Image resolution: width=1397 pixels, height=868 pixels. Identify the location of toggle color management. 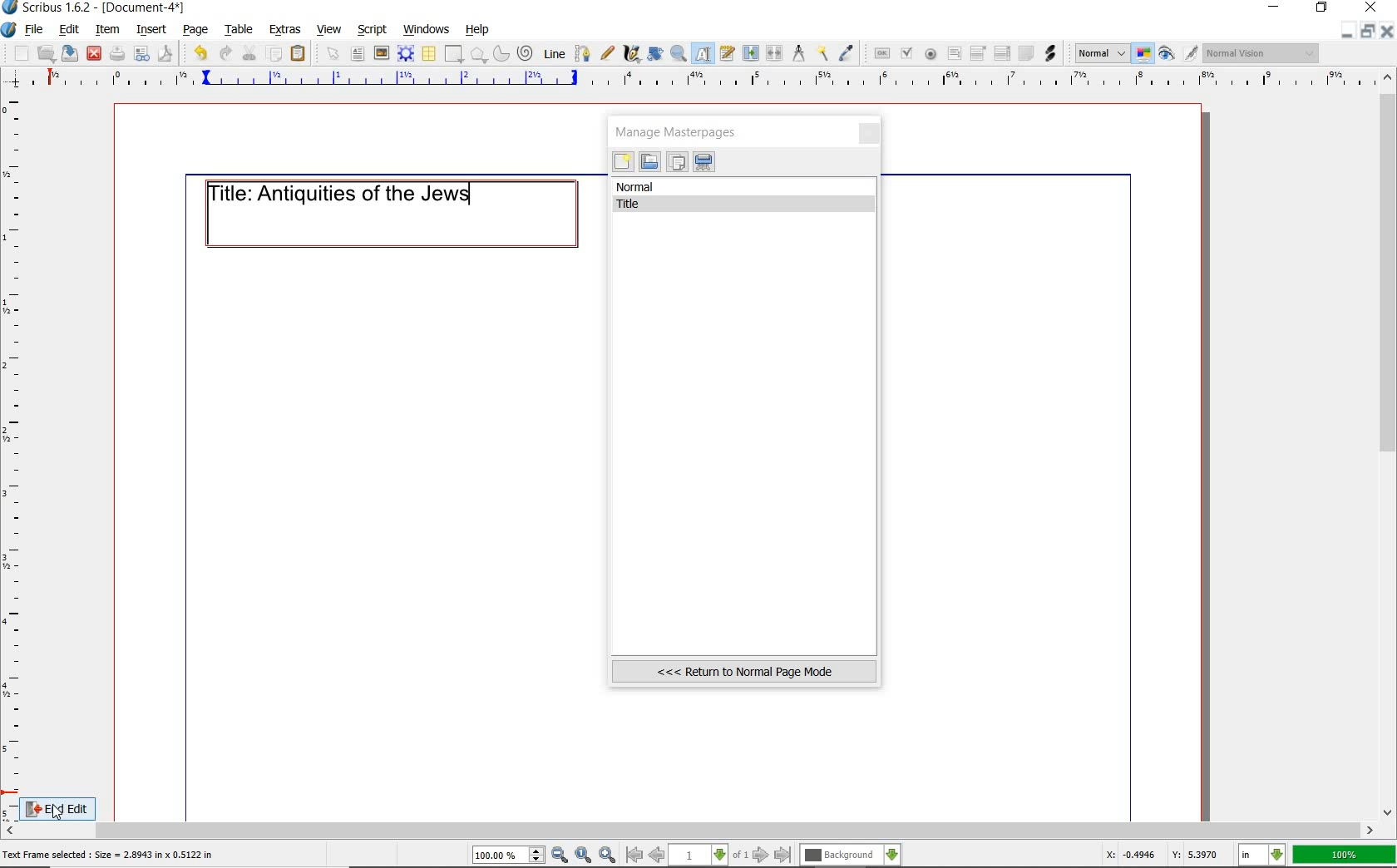
(1144, 55).